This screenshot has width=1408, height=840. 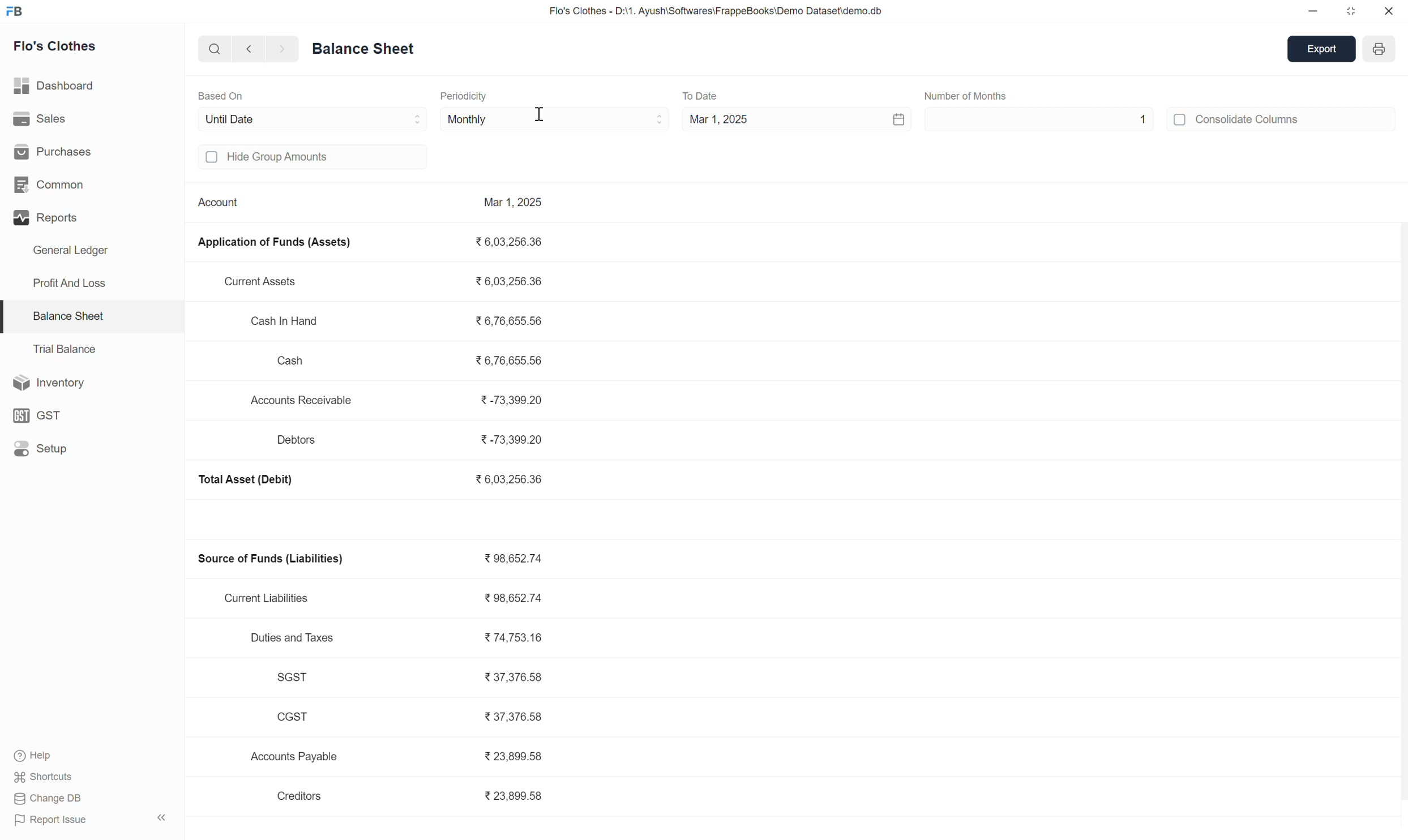 What do you see at coordinates (1382, 50) in the screenshot?
I see `year` at bounding box center [1382, 50].